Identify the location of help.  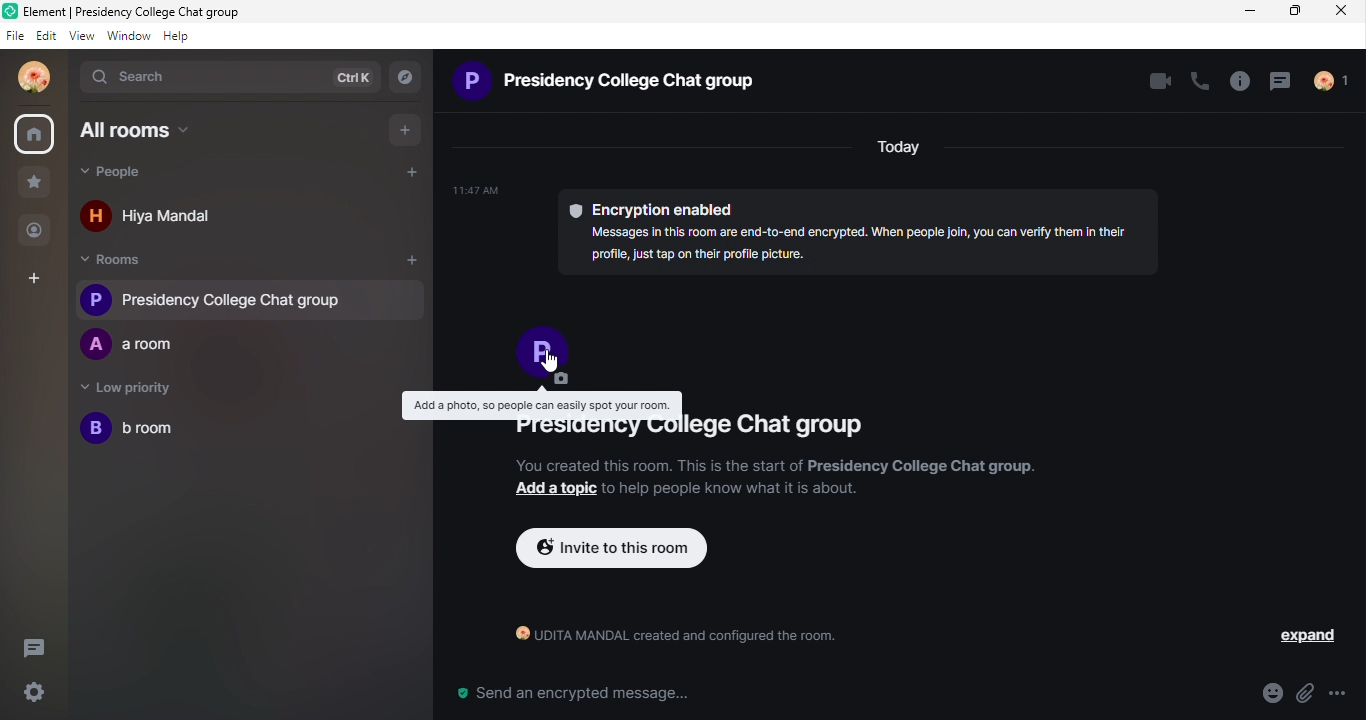
(176, 39).